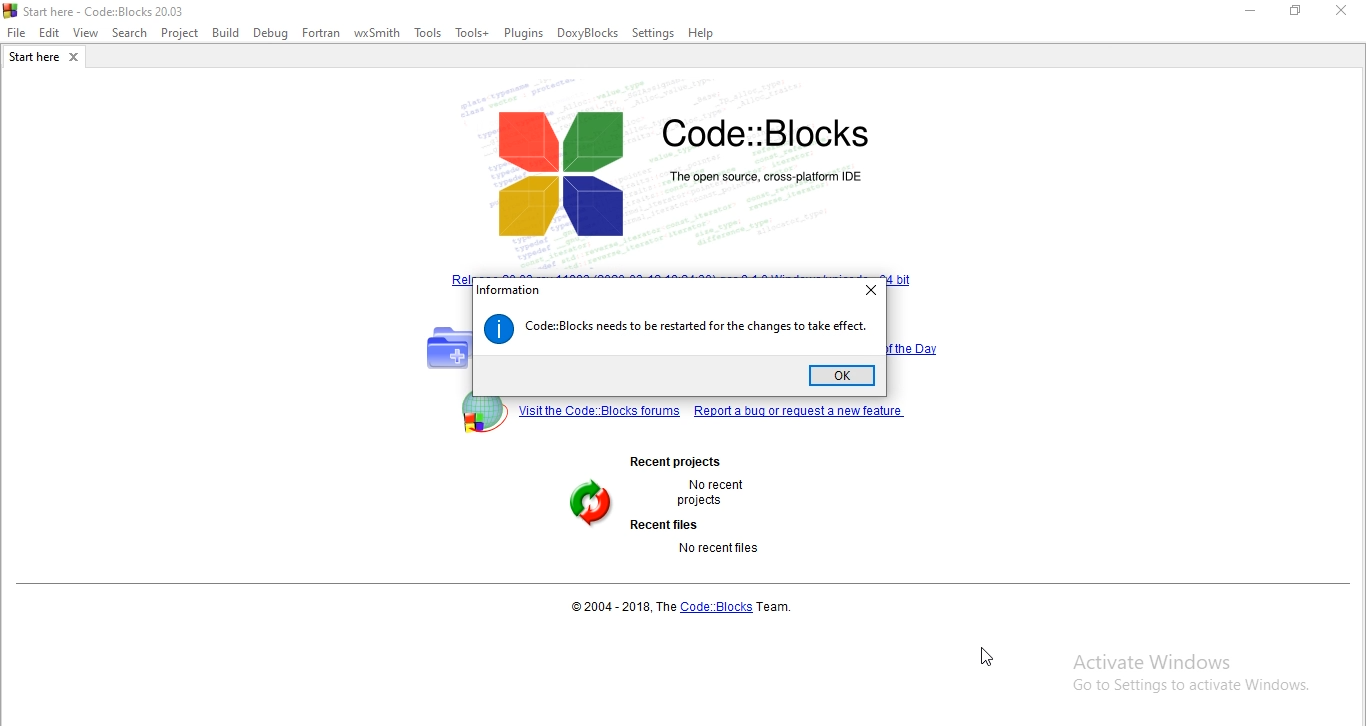  I want to click on Tools, so click(430, 36).